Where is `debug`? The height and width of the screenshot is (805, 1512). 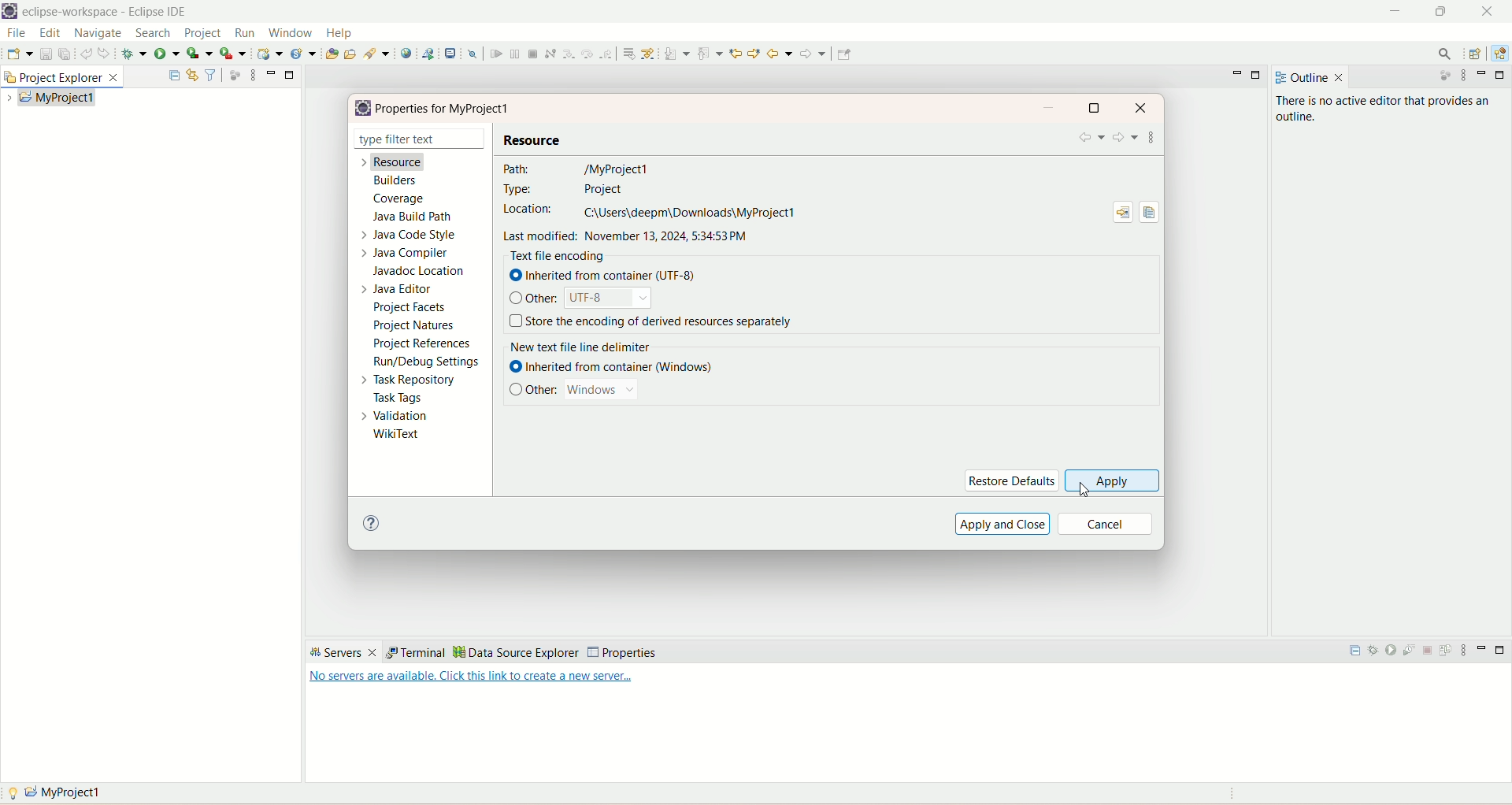 debug is located at coordinates (135, 54).